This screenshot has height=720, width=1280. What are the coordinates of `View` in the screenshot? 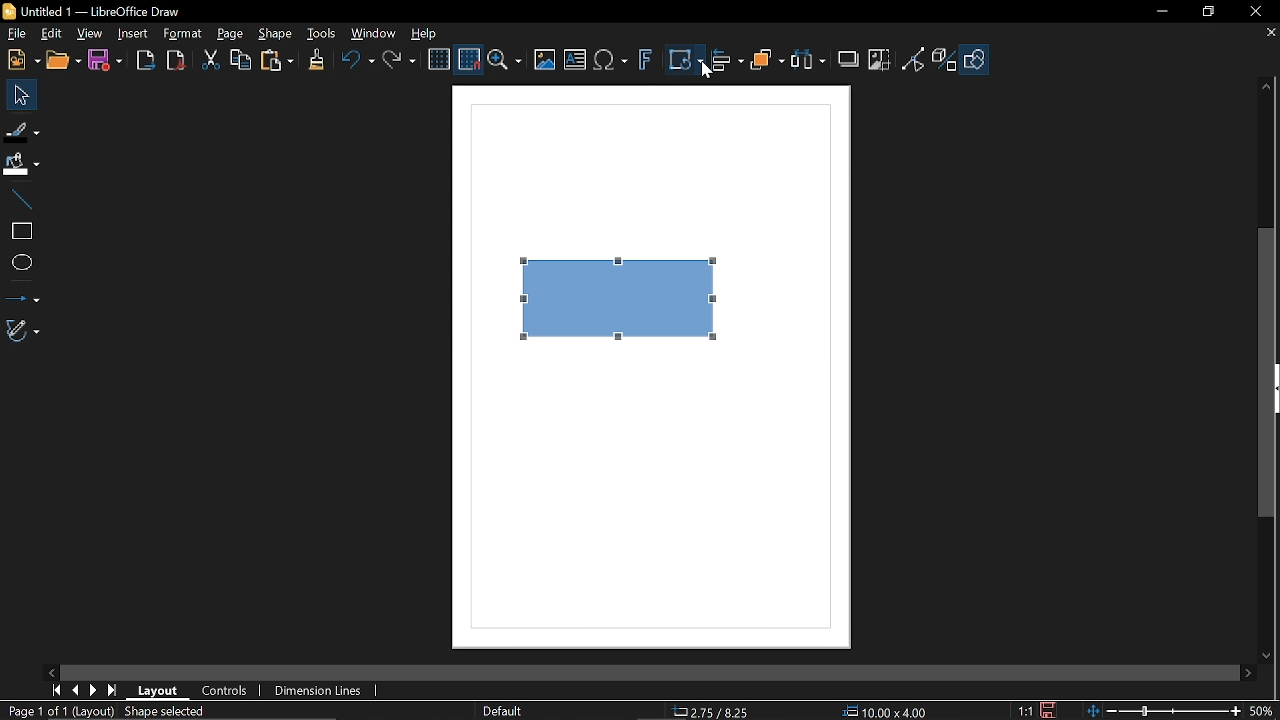 It's located at (87, 33).